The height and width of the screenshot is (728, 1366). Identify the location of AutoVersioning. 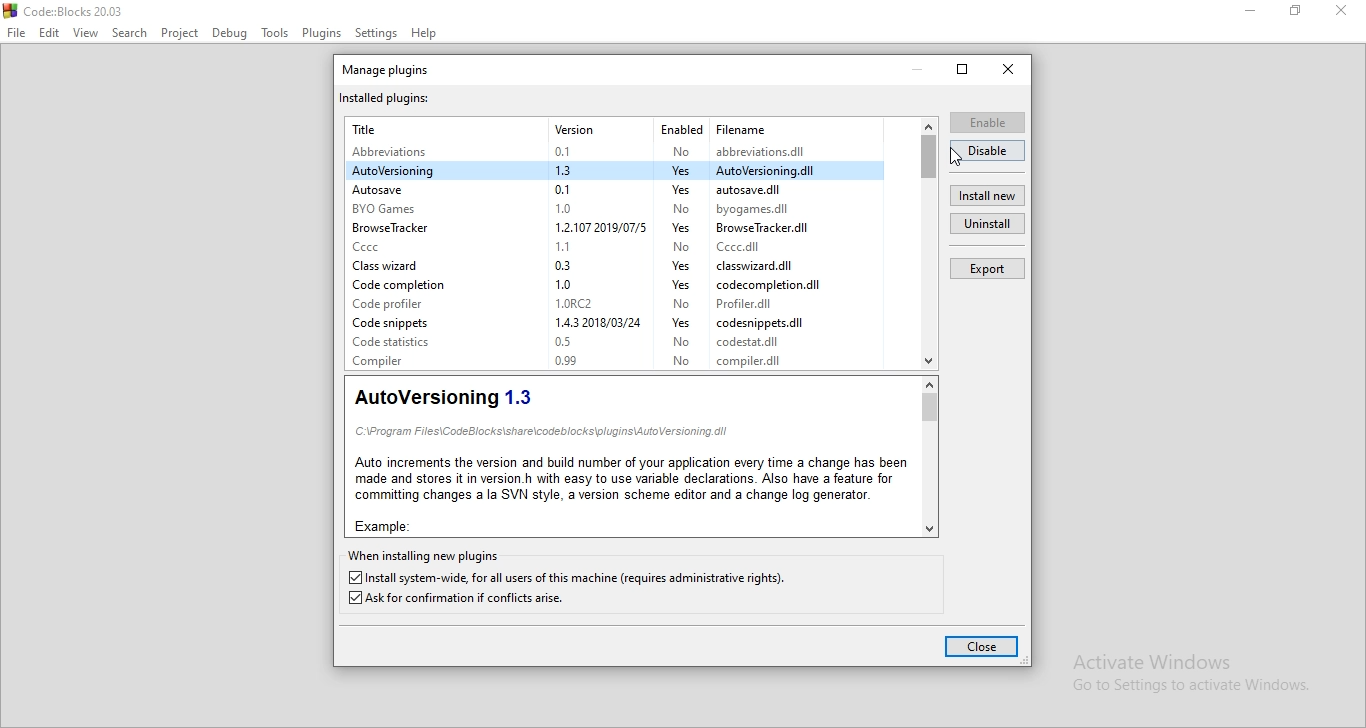
(426, 398).